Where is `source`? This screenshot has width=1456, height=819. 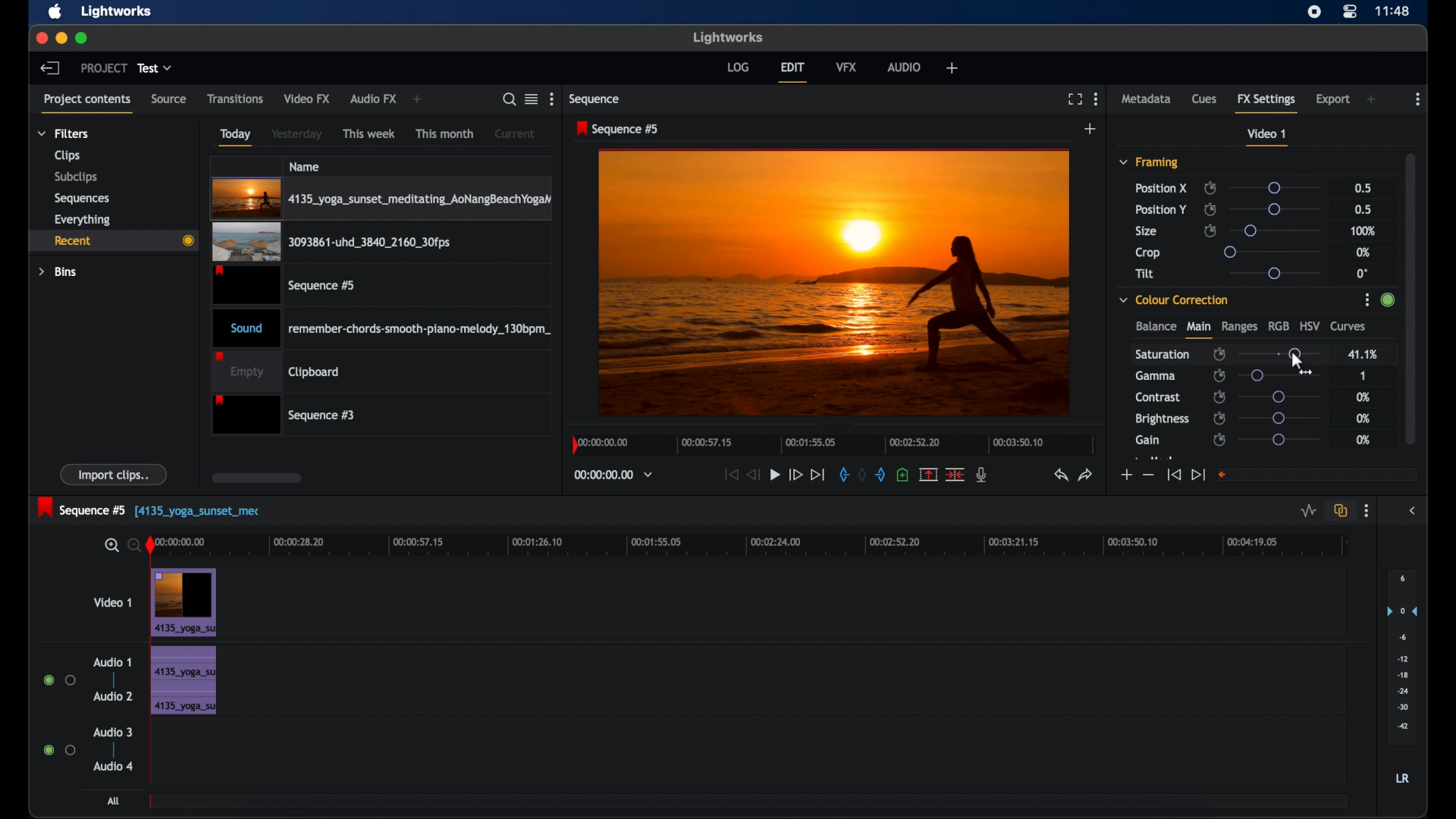
source is located at coordinates (169, 99).